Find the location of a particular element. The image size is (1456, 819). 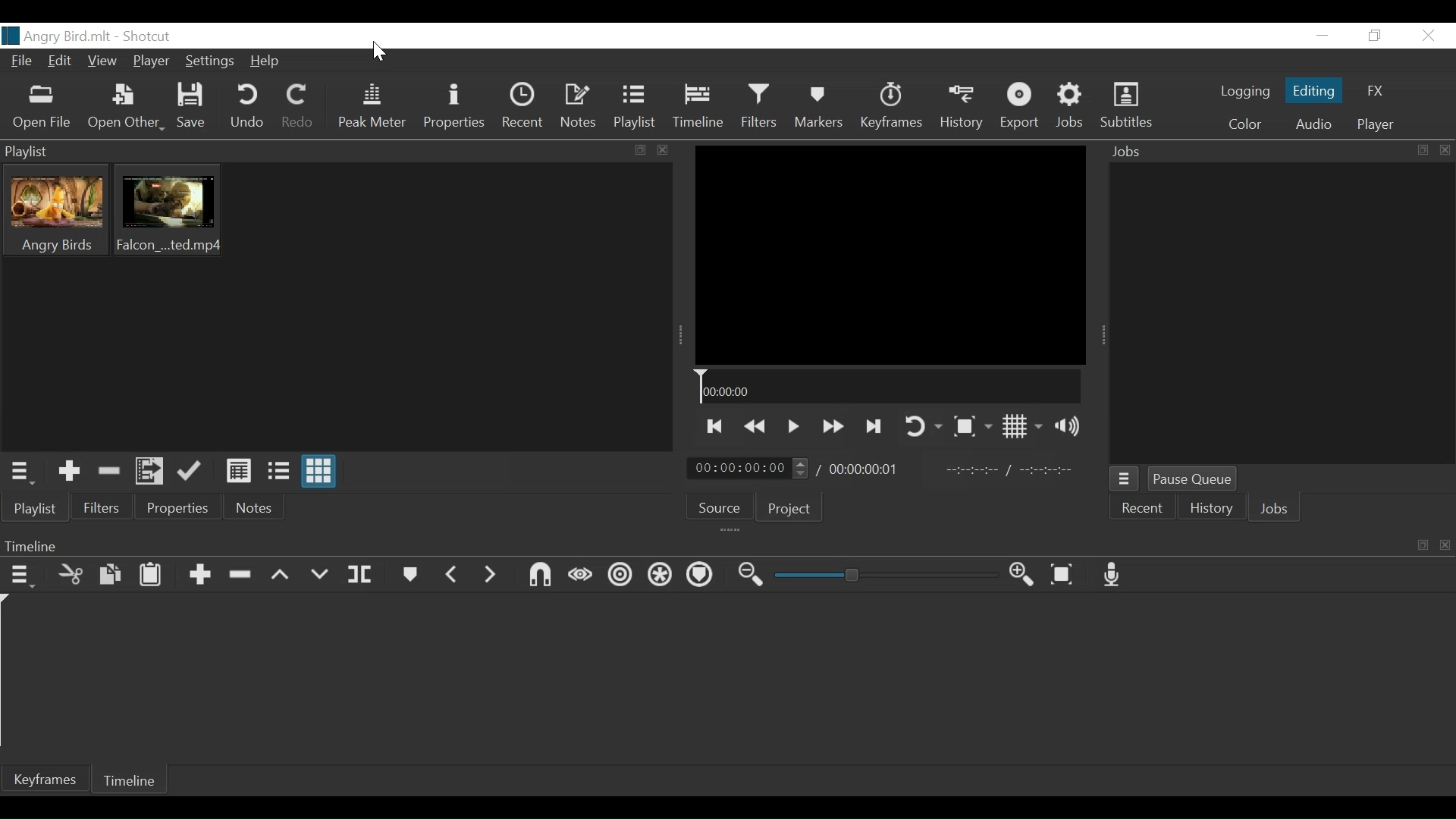

Add the Source to the playlist is located at coordinates (70, 472).